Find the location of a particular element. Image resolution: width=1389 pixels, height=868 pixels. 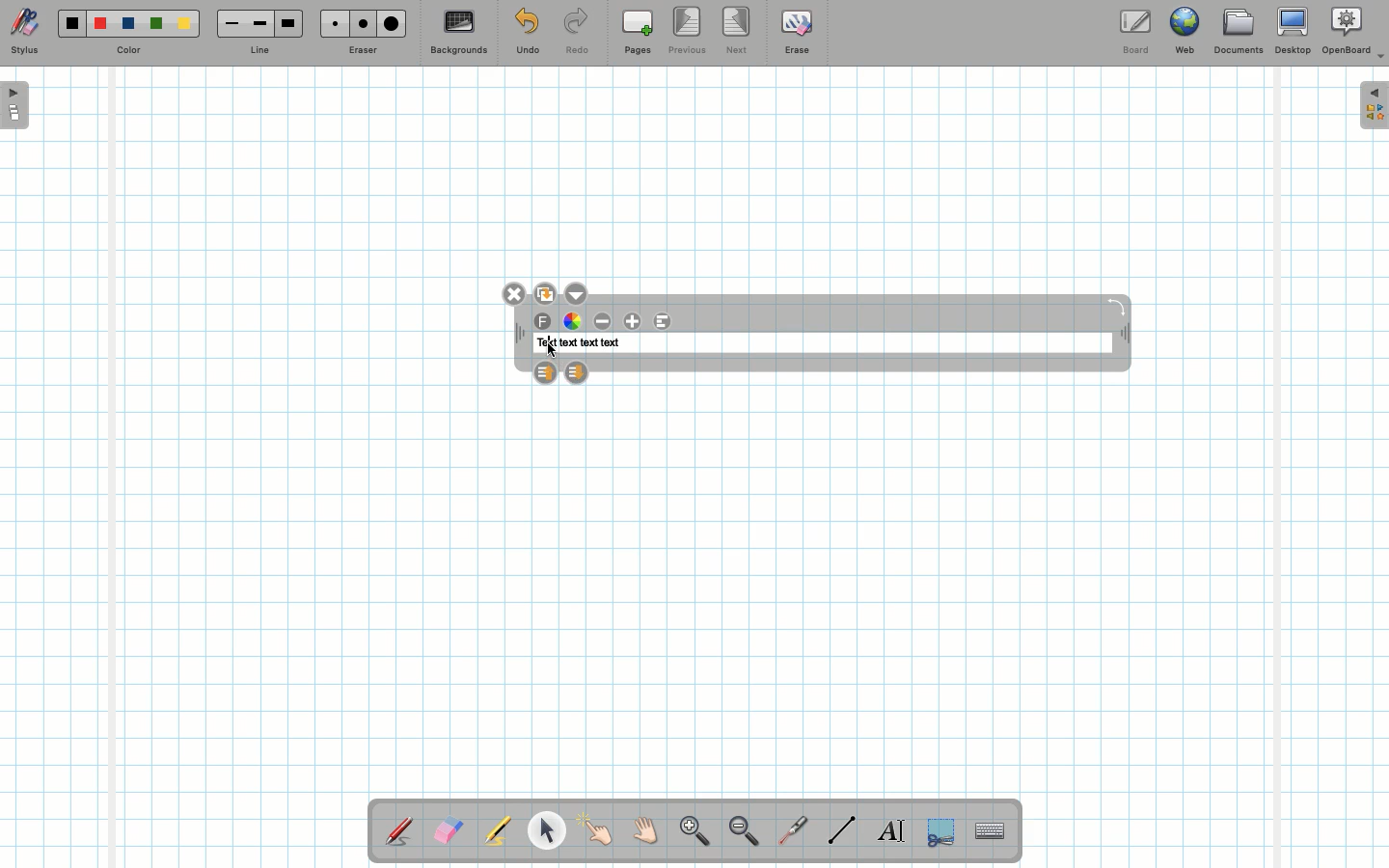

OpenBoard is located at coordinates (1353, 31).